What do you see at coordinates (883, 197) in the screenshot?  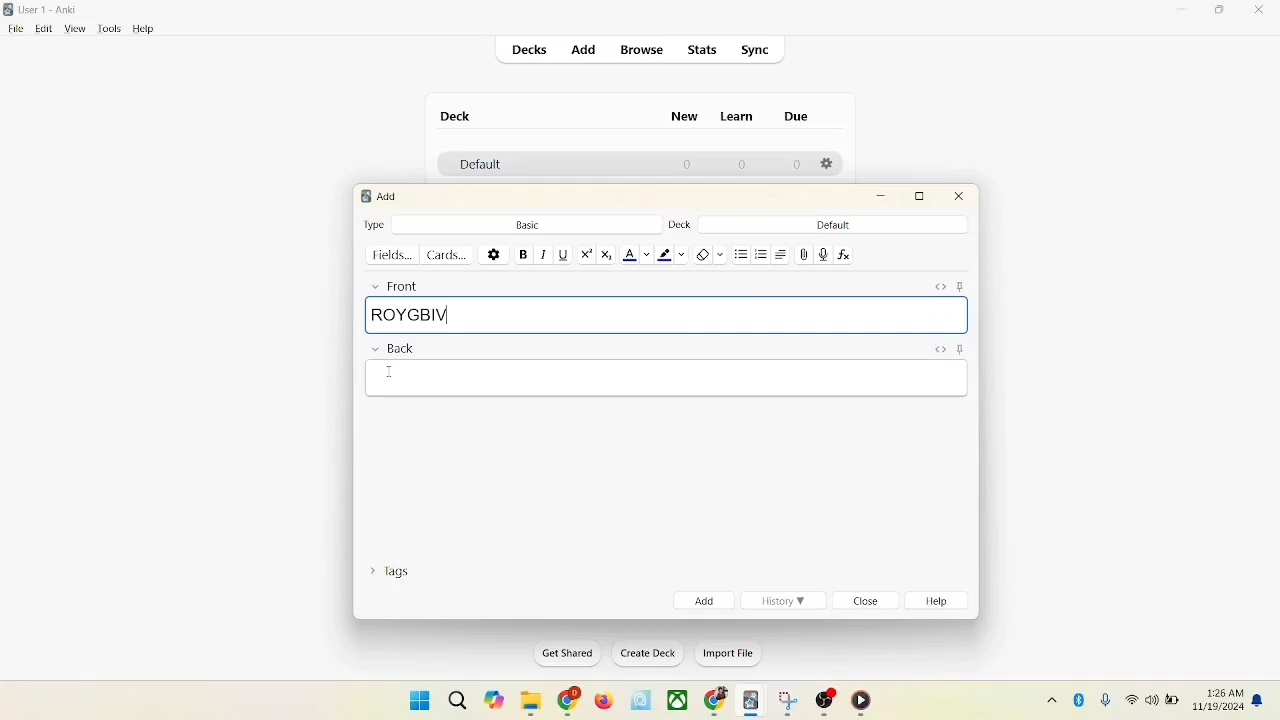 I see `minimize` at bounding box center [883, 197].